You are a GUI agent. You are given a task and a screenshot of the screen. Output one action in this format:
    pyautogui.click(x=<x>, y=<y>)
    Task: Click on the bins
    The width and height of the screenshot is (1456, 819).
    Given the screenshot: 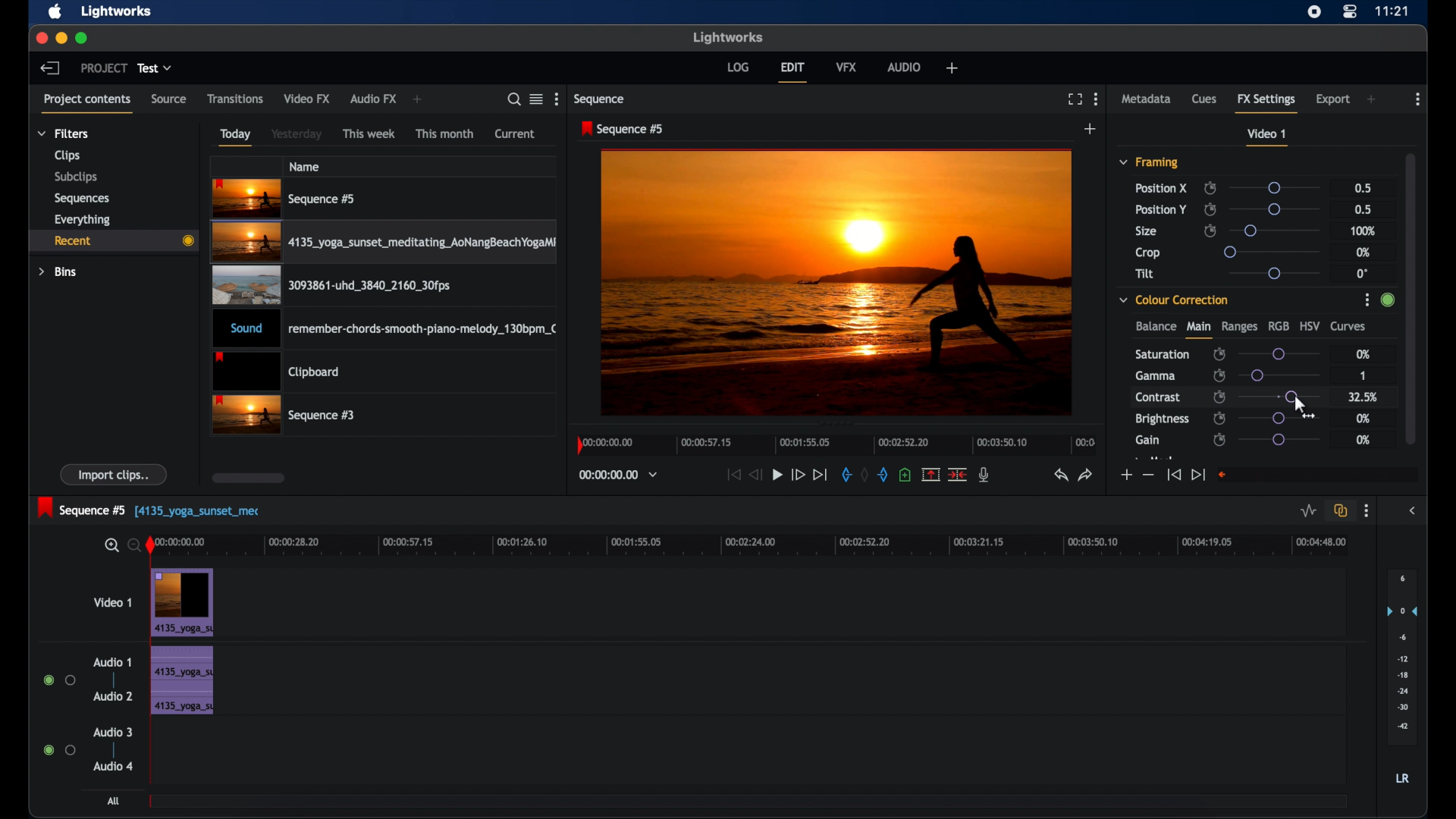 What is the action you would take?
    pyautogui.click(x=58, y=272)
    